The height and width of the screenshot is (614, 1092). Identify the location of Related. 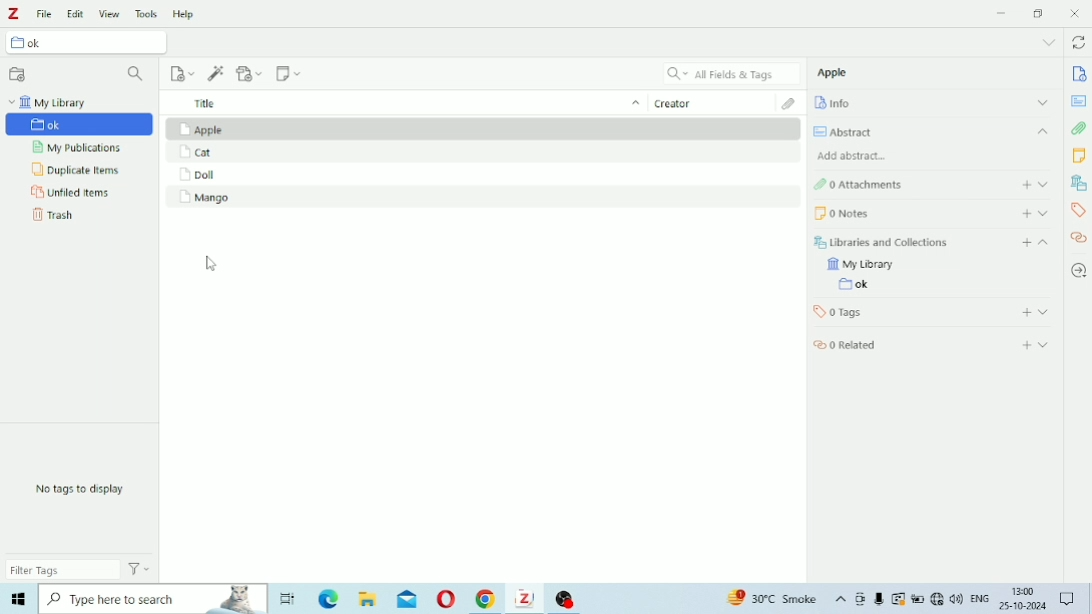
(845, 345).